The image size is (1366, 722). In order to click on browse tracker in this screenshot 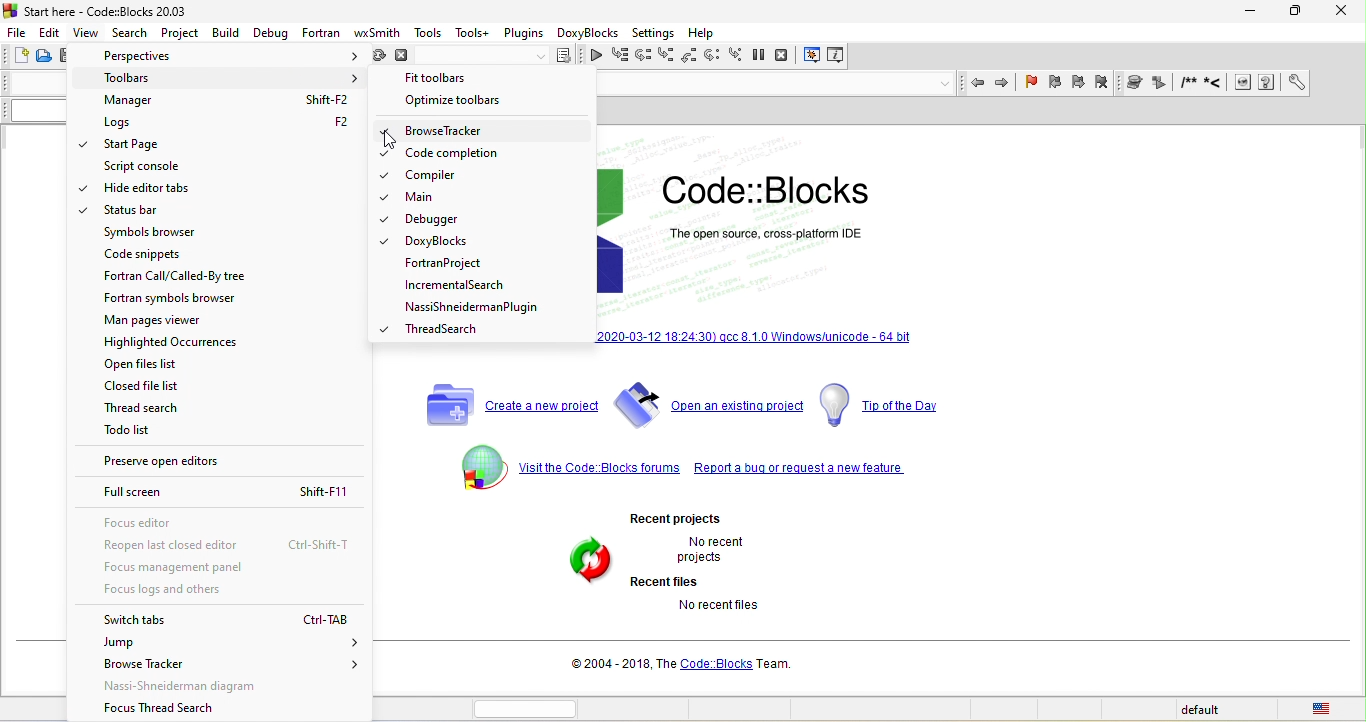, I will do `click(443, 132)`.